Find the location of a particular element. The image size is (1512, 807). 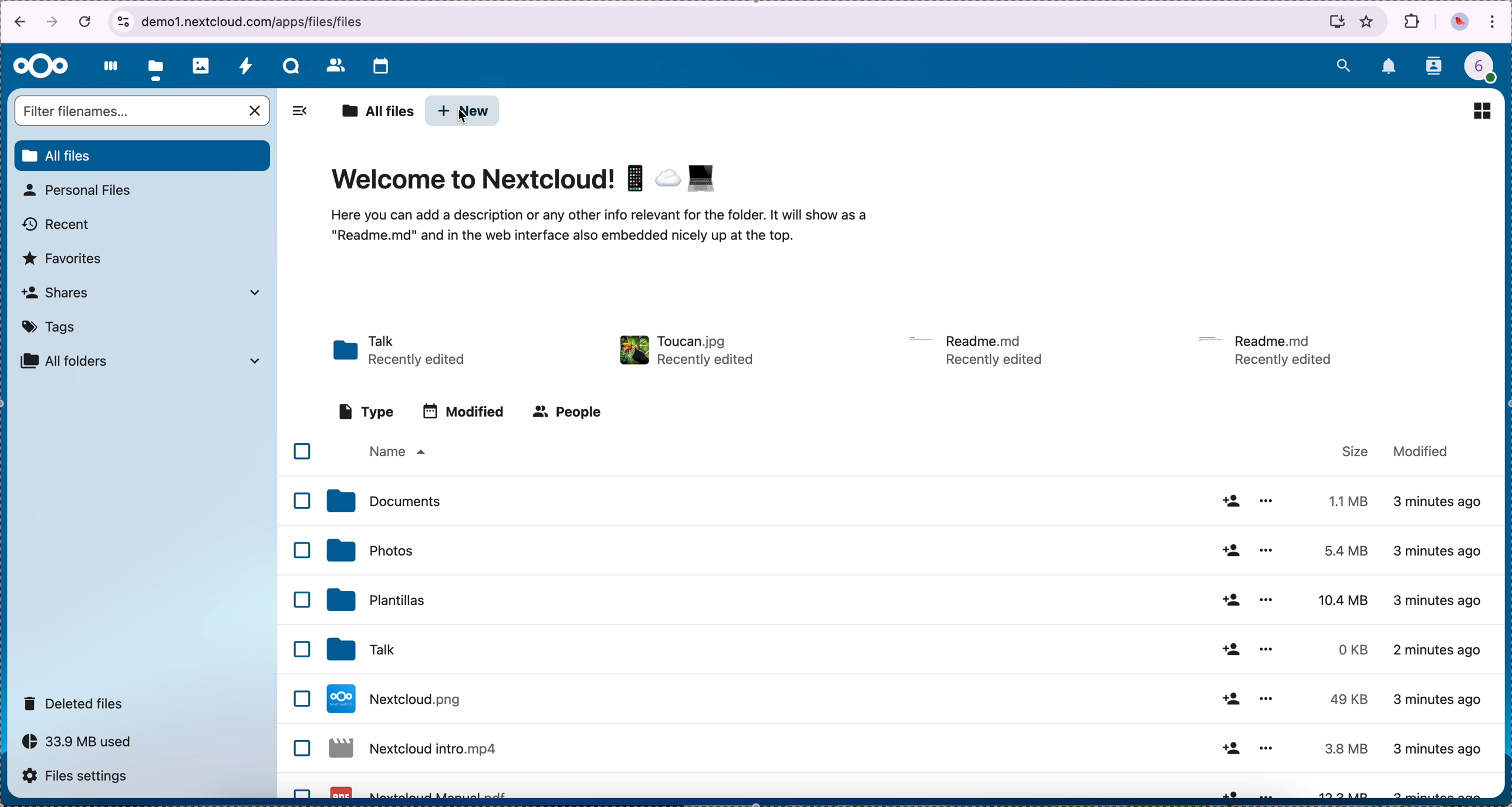

1.1 MB is located at coordinates (1345, 499).